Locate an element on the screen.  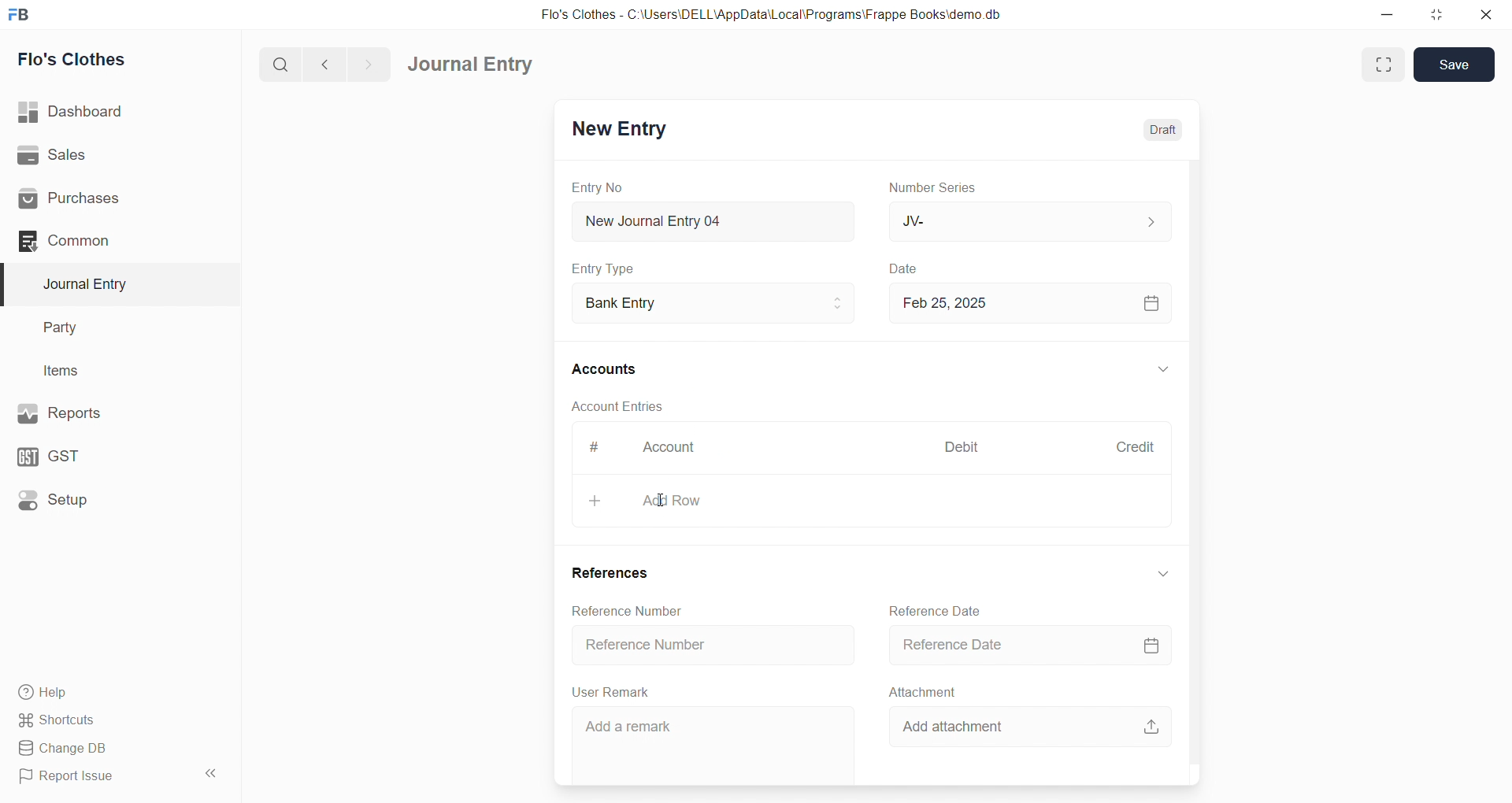
search is located at coordinates (283, 63).